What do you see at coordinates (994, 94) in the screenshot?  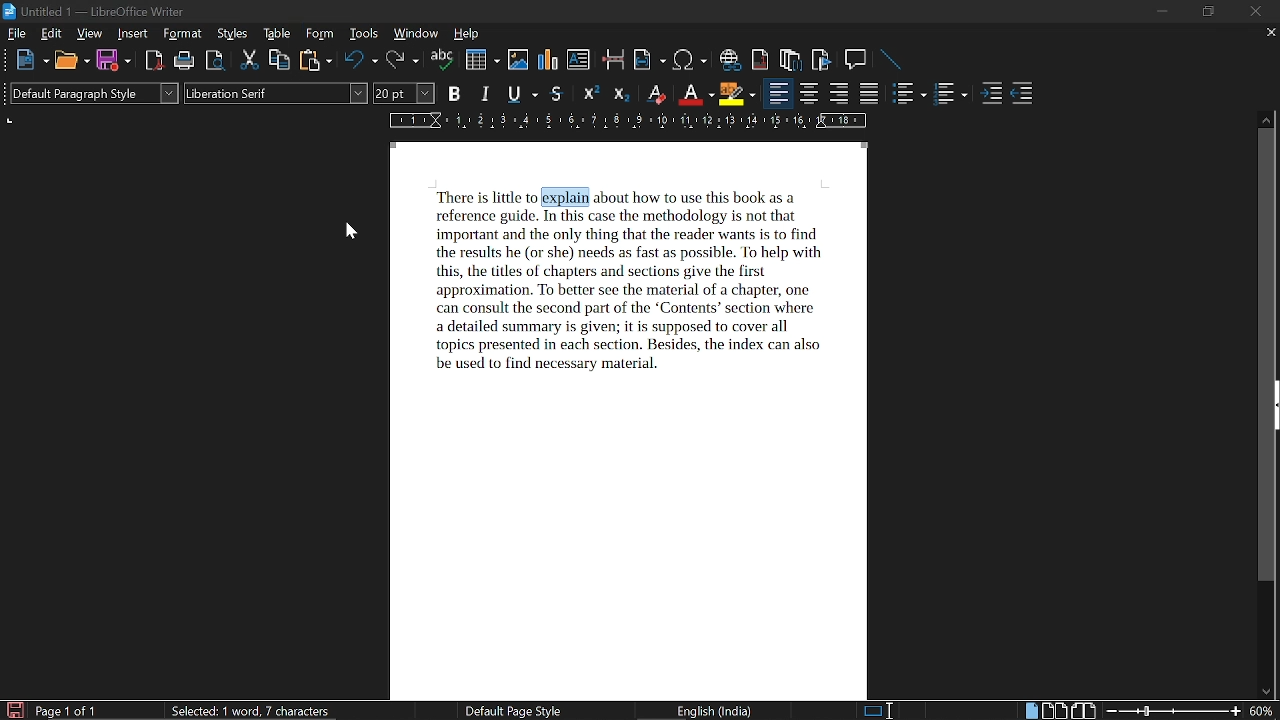 I see `increase indent` at bounding box center [994, 94].